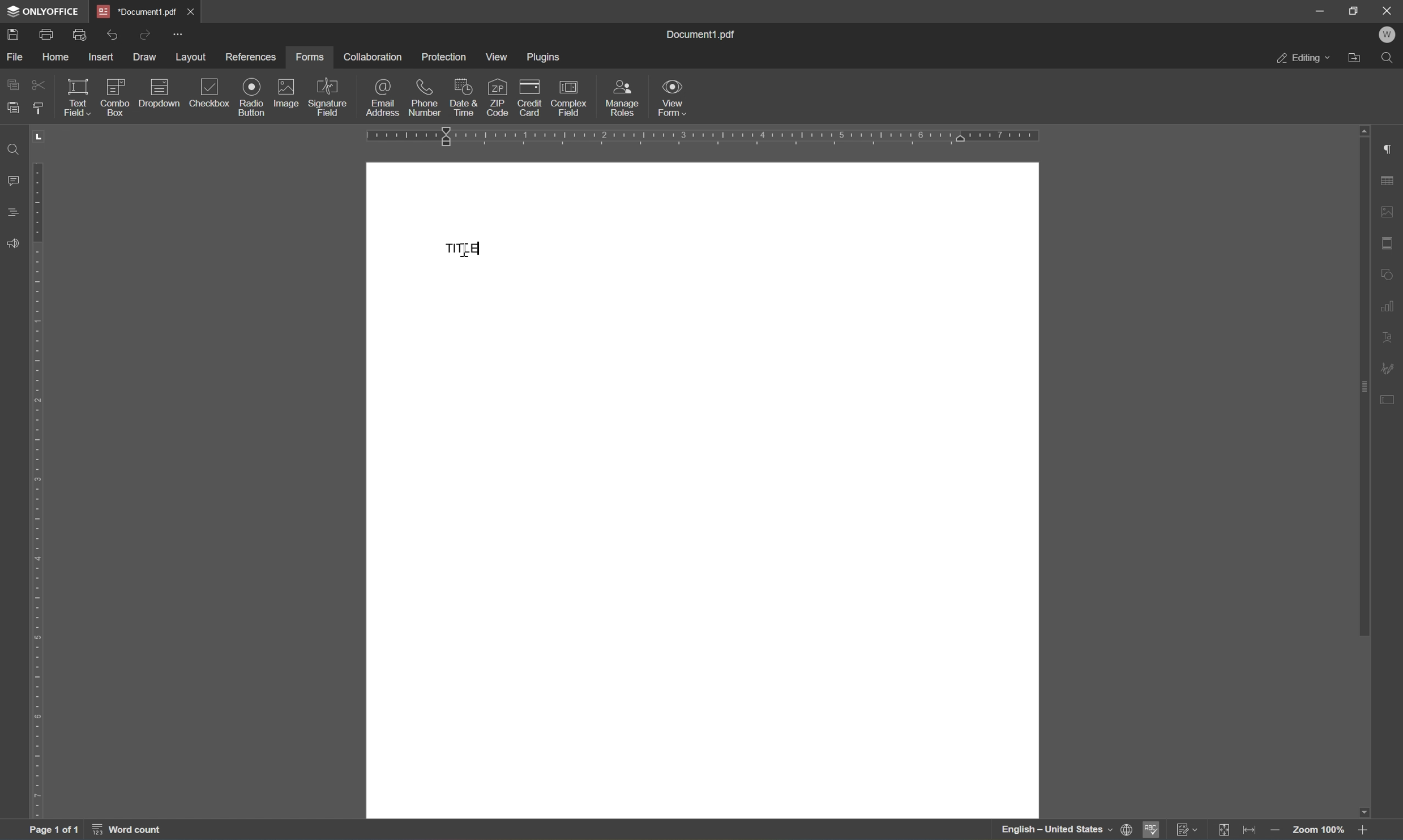 This screenshot has width=1403, height=840. I want to click on spell checking, so click(1152, 830).